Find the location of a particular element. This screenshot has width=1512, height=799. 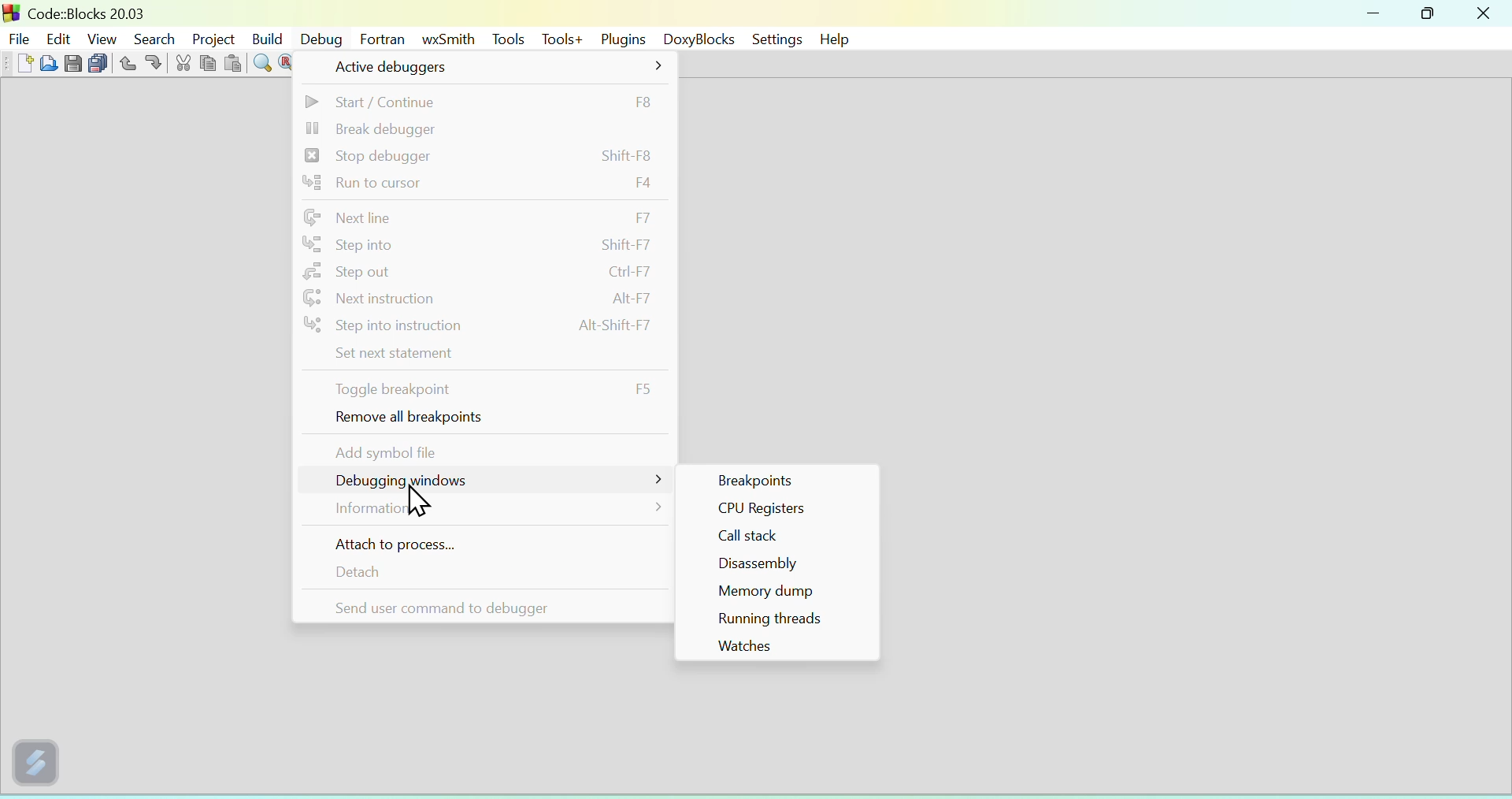

Tools is located at coordinates (507, 37).